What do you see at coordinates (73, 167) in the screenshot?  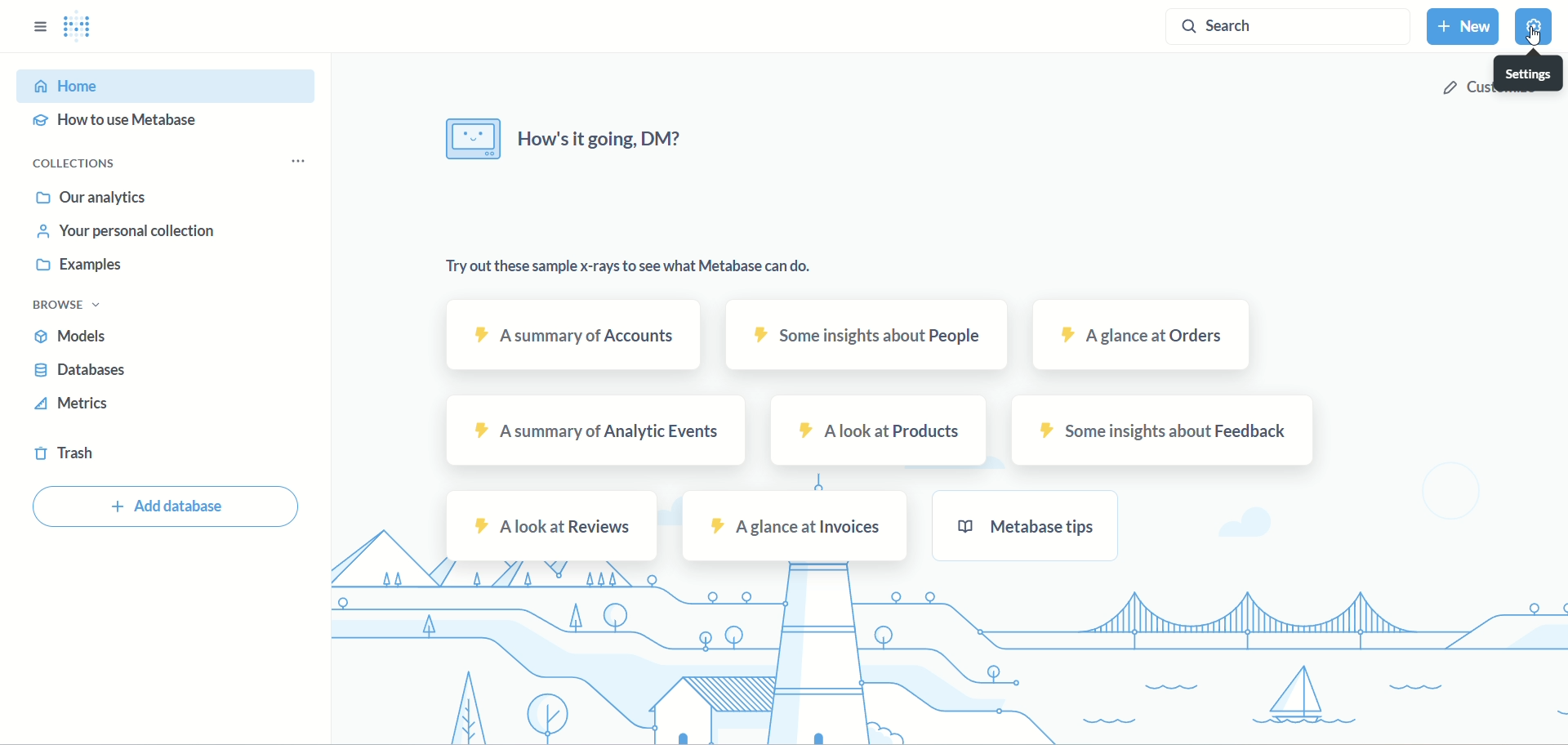 I see `collection` at bounding box center [73, 167].